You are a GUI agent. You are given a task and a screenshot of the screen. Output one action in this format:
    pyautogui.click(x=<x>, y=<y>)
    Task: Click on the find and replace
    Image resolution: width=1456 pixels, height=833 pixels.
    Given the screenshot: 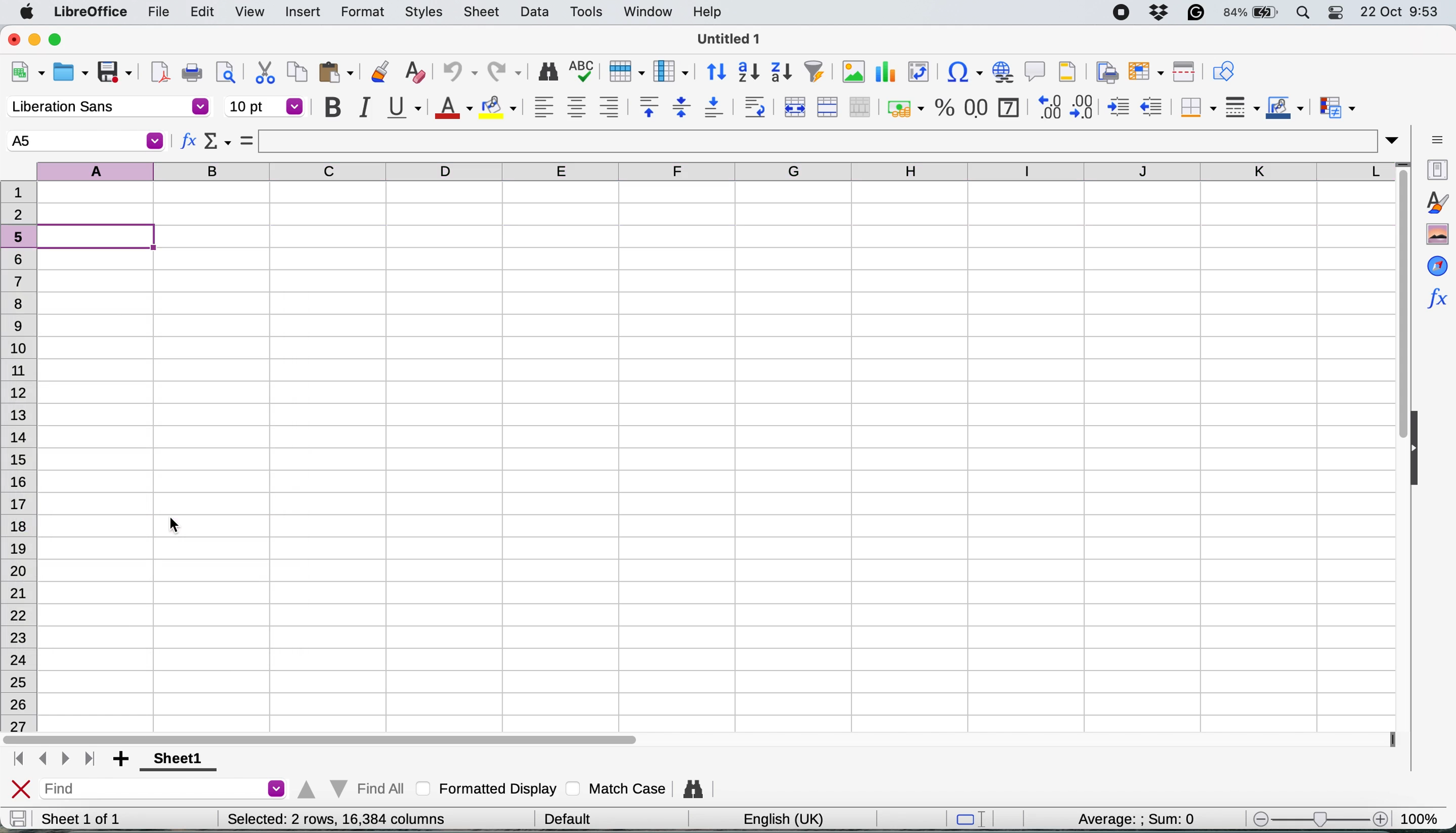 What is the action you would take?
    pyautogui.click(x=695, y=789)
    